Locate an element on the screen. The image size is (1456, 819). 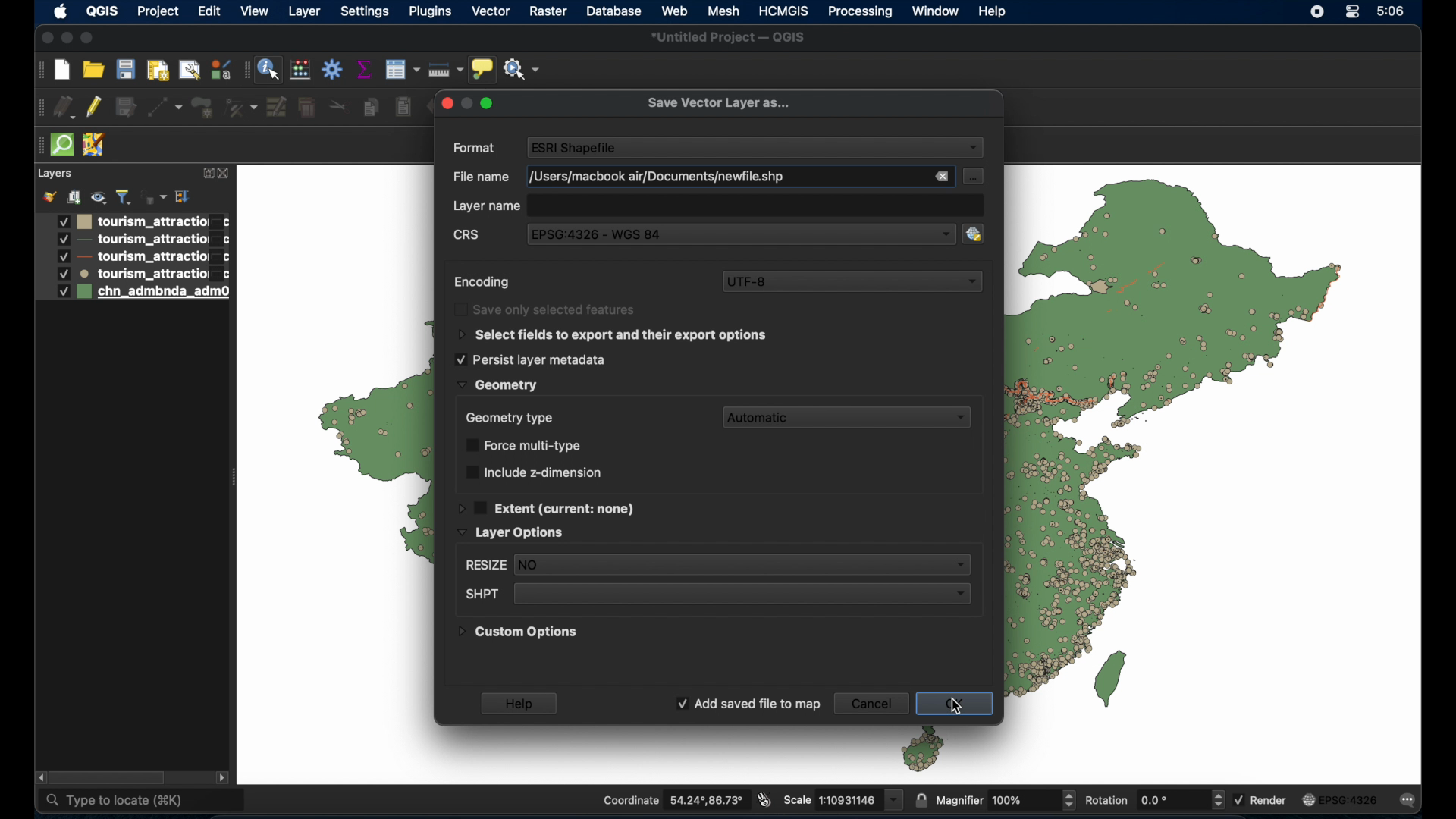
EPSG:4326 - WGS 84 is located at coordinates (602, 234).